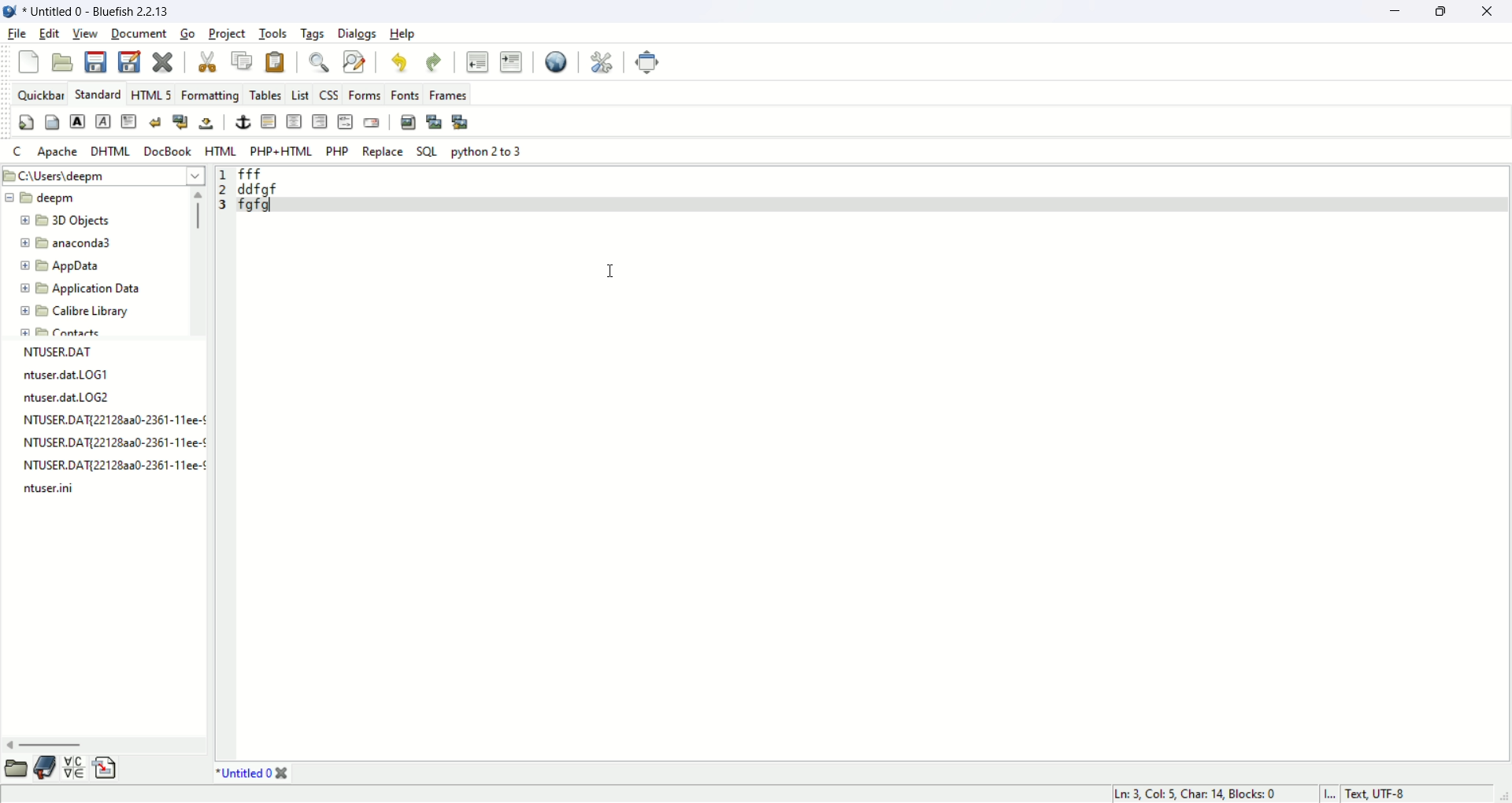 The height and width of the screenshot is (803, 1512). Describe the element at coordinates (1331, 793) in the screenshot. I see `I` at that location.